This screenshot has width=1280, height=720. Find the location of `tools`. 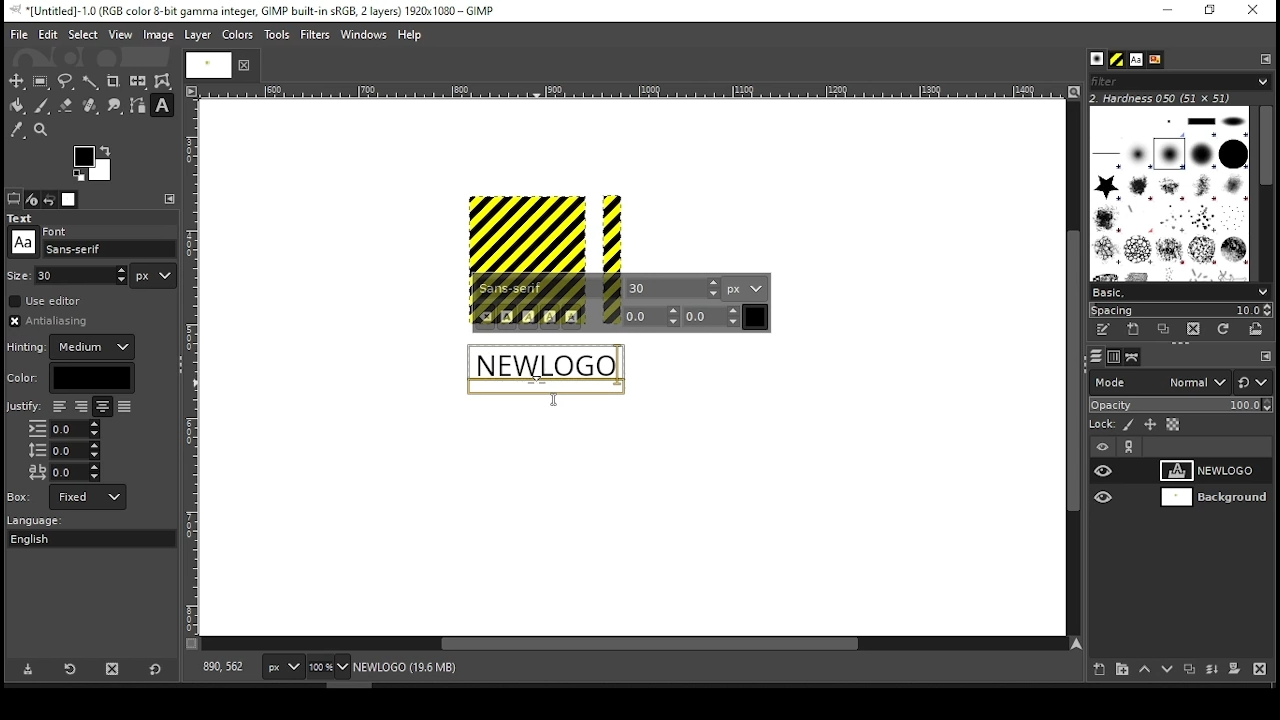

tools is located at coordinates (279, 36).